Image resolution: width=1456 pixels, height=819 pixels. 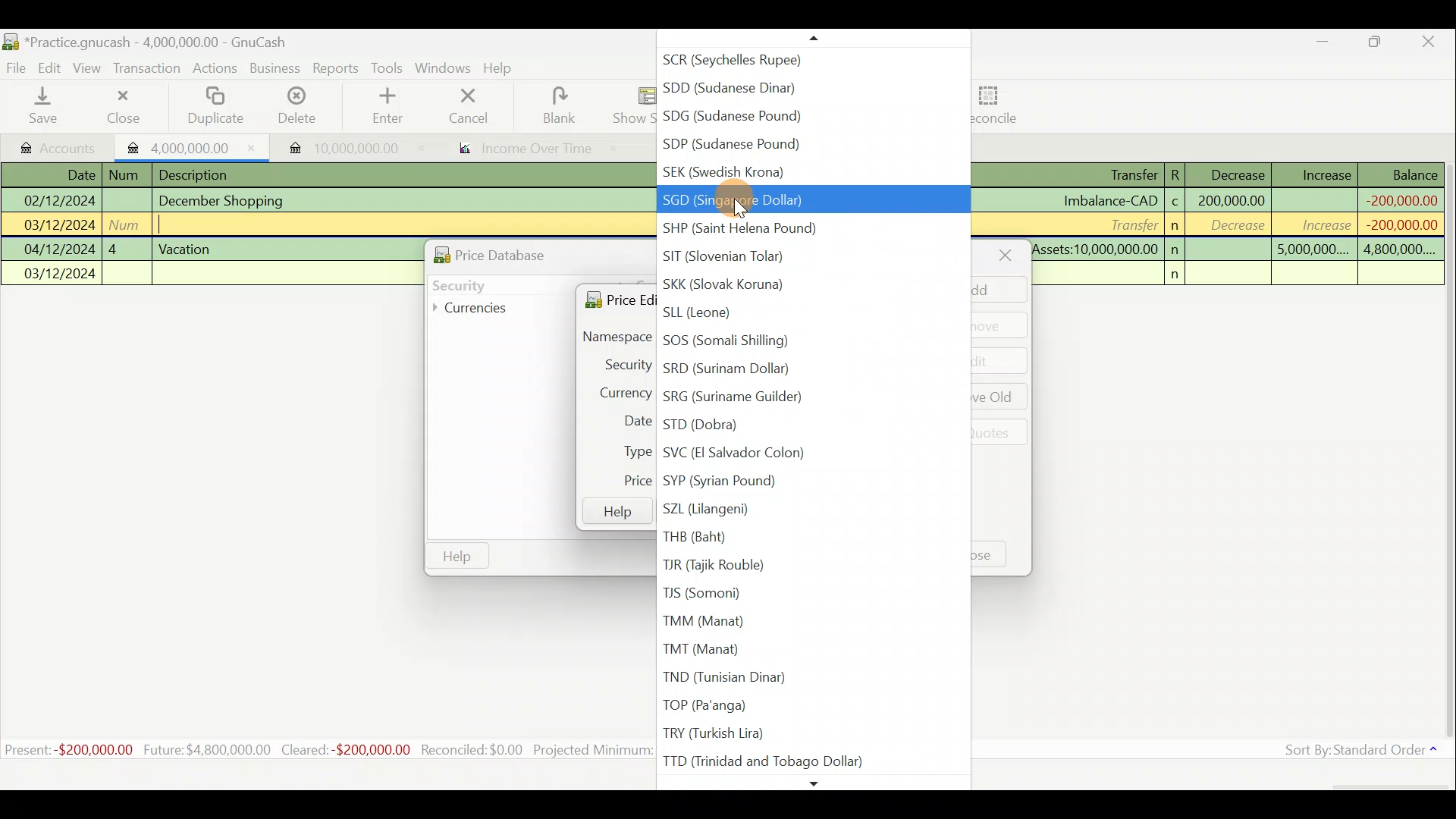 What do you see at coordinates (52, 67) in the screenshot?
I see `Edit` at bounding box center [52, 67].